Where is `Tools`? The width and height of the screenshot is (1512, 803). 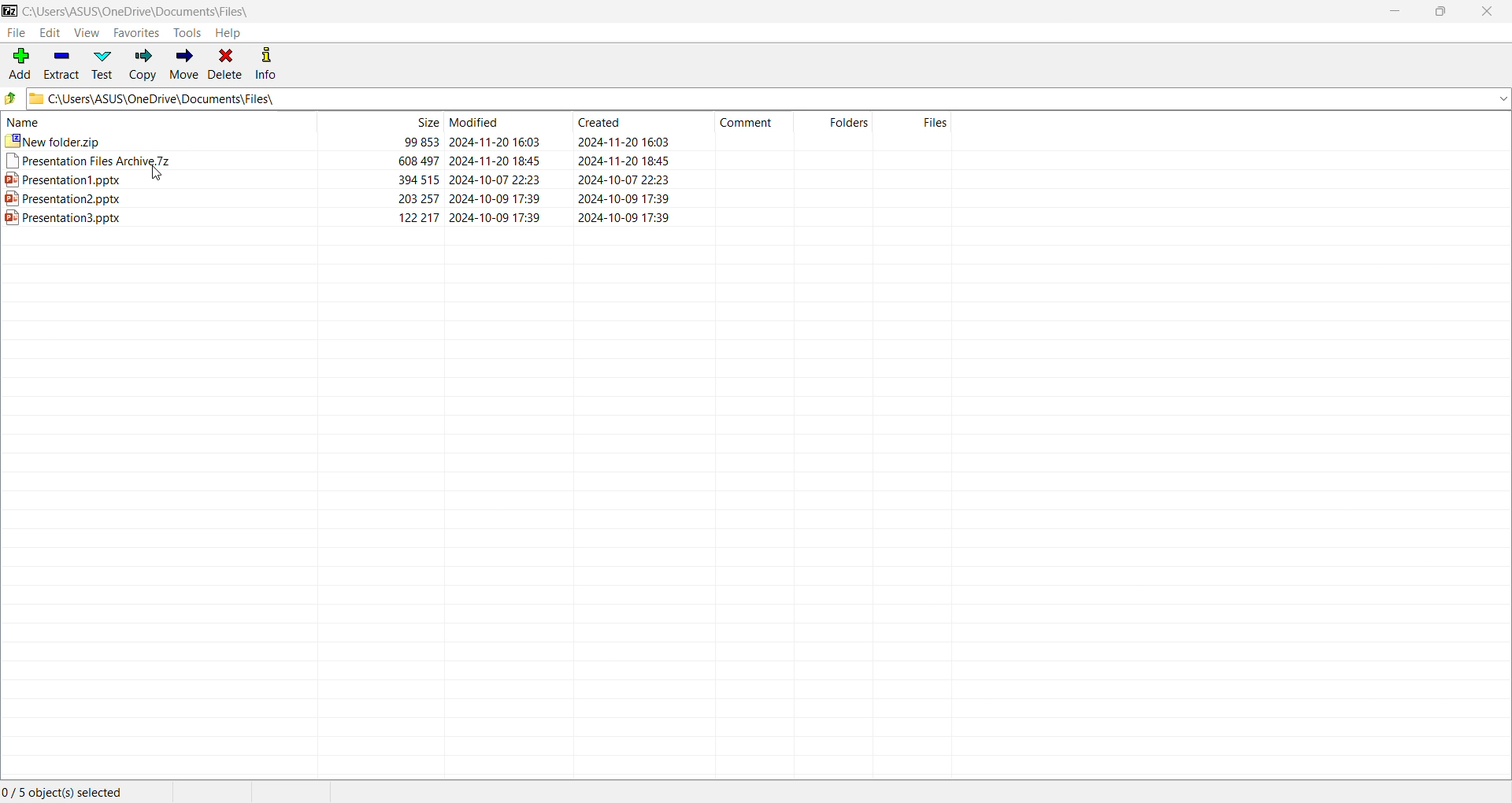 Tools is located at coordinates (187, 32).